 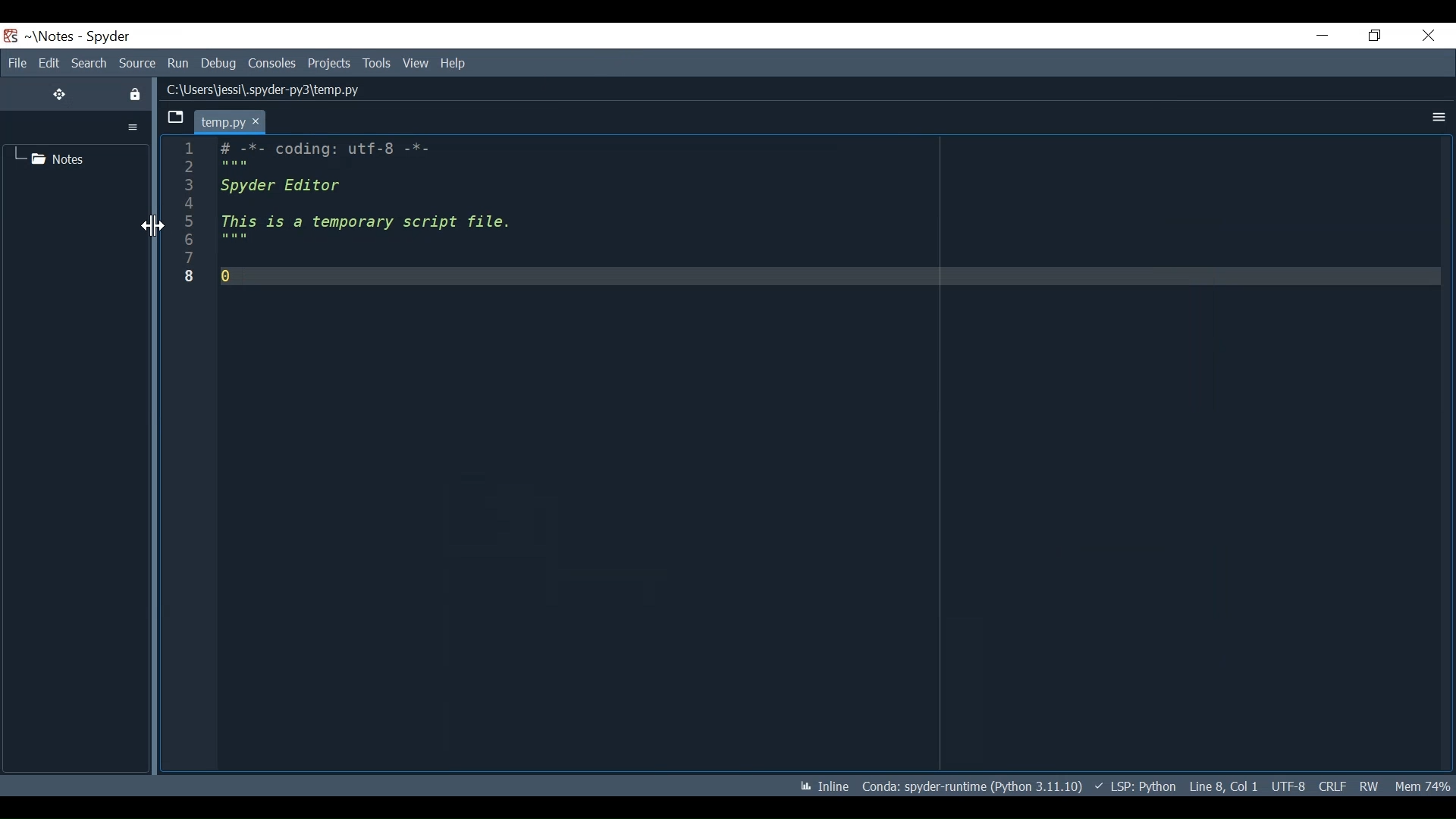 What do you see at coordinates (137, 63) in the screenshot?
I see `Source` at bounding box center [137, 63].